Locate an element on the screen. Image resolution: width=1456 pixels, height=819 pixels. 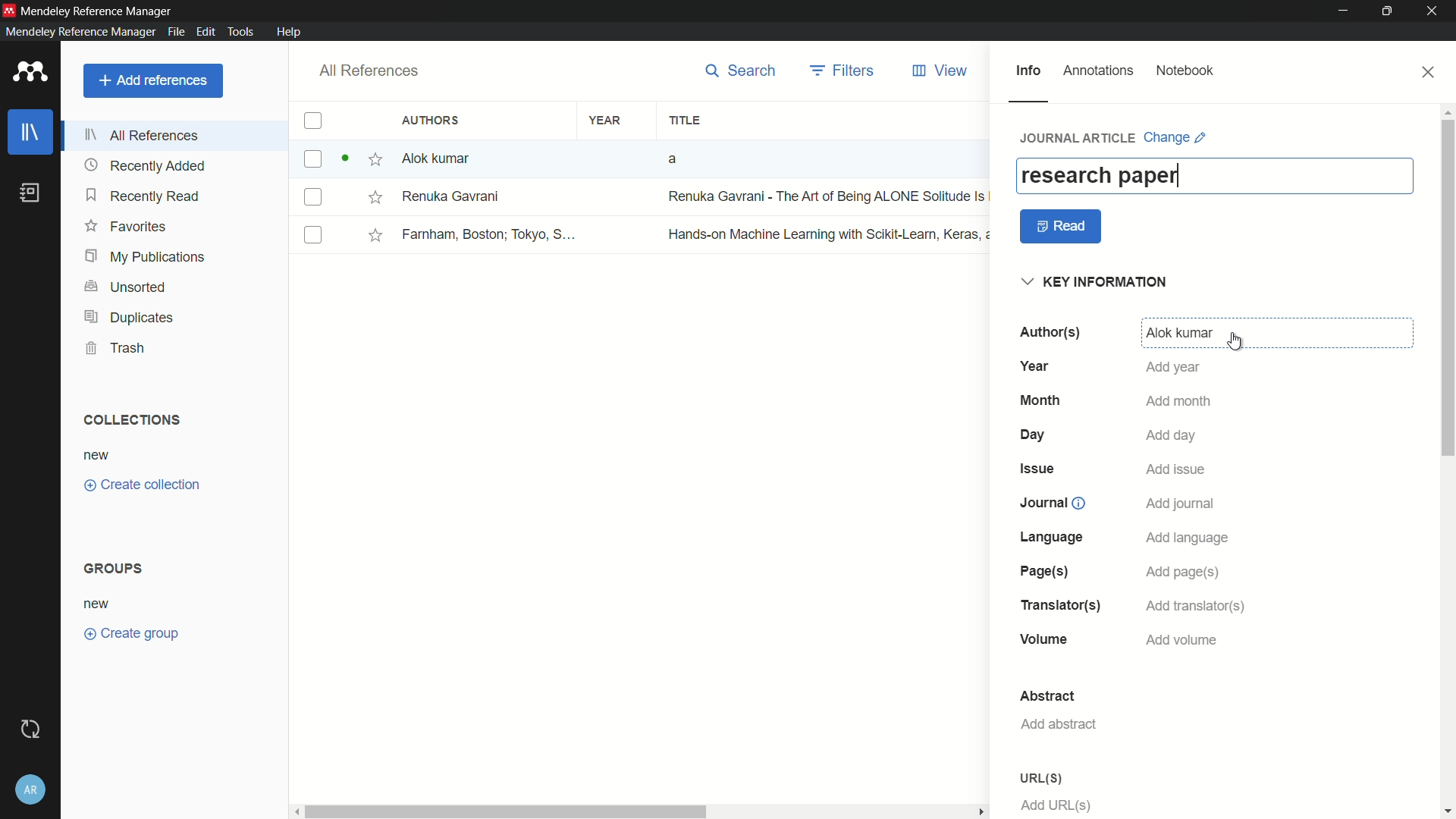
minimize is located at coordinates (1344, 11).